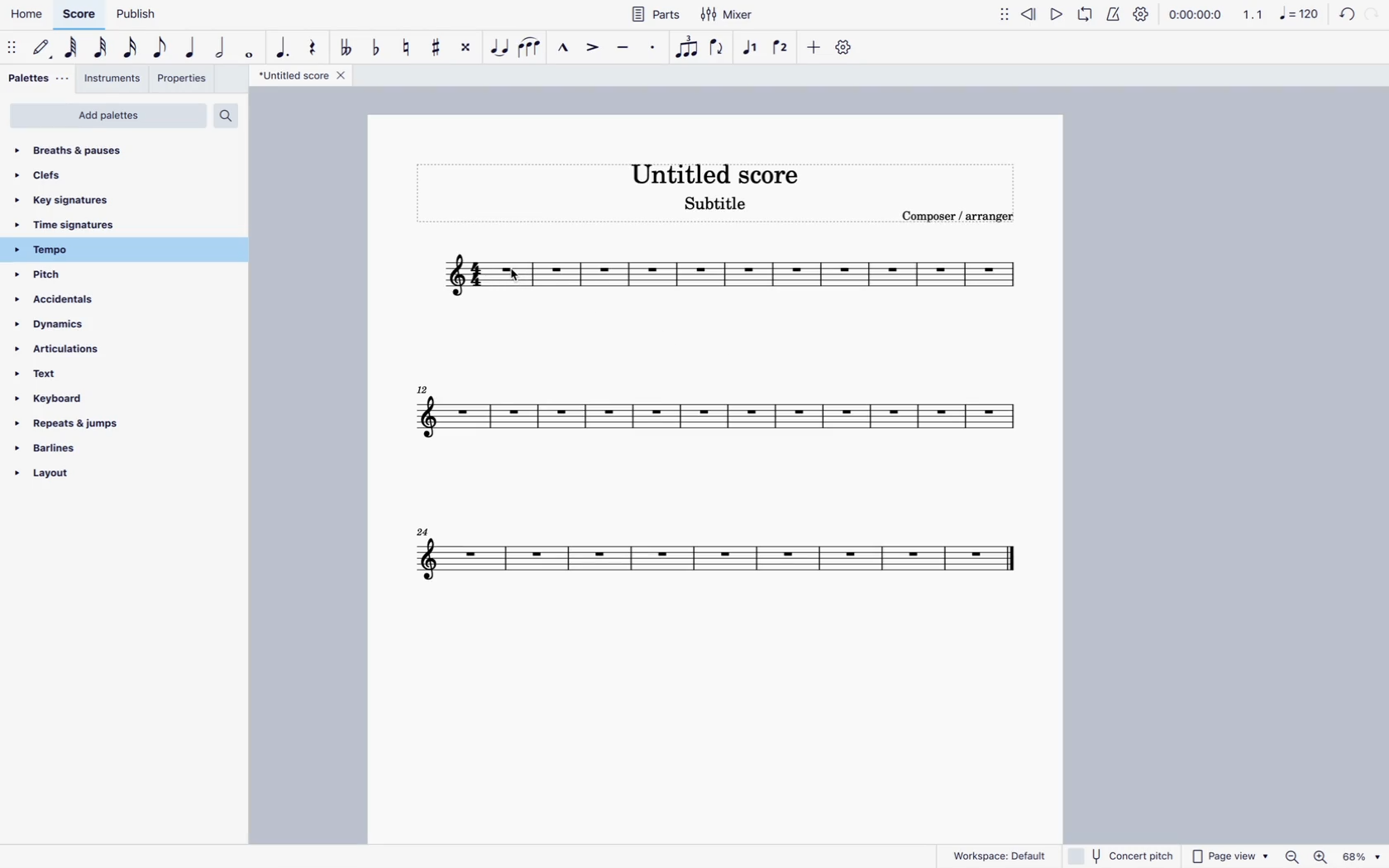 The image size is (1389, 868). What do you see at coordinates (782, 47) in the screenshot?
I see `voice 2` at bounding box center [782, 47].